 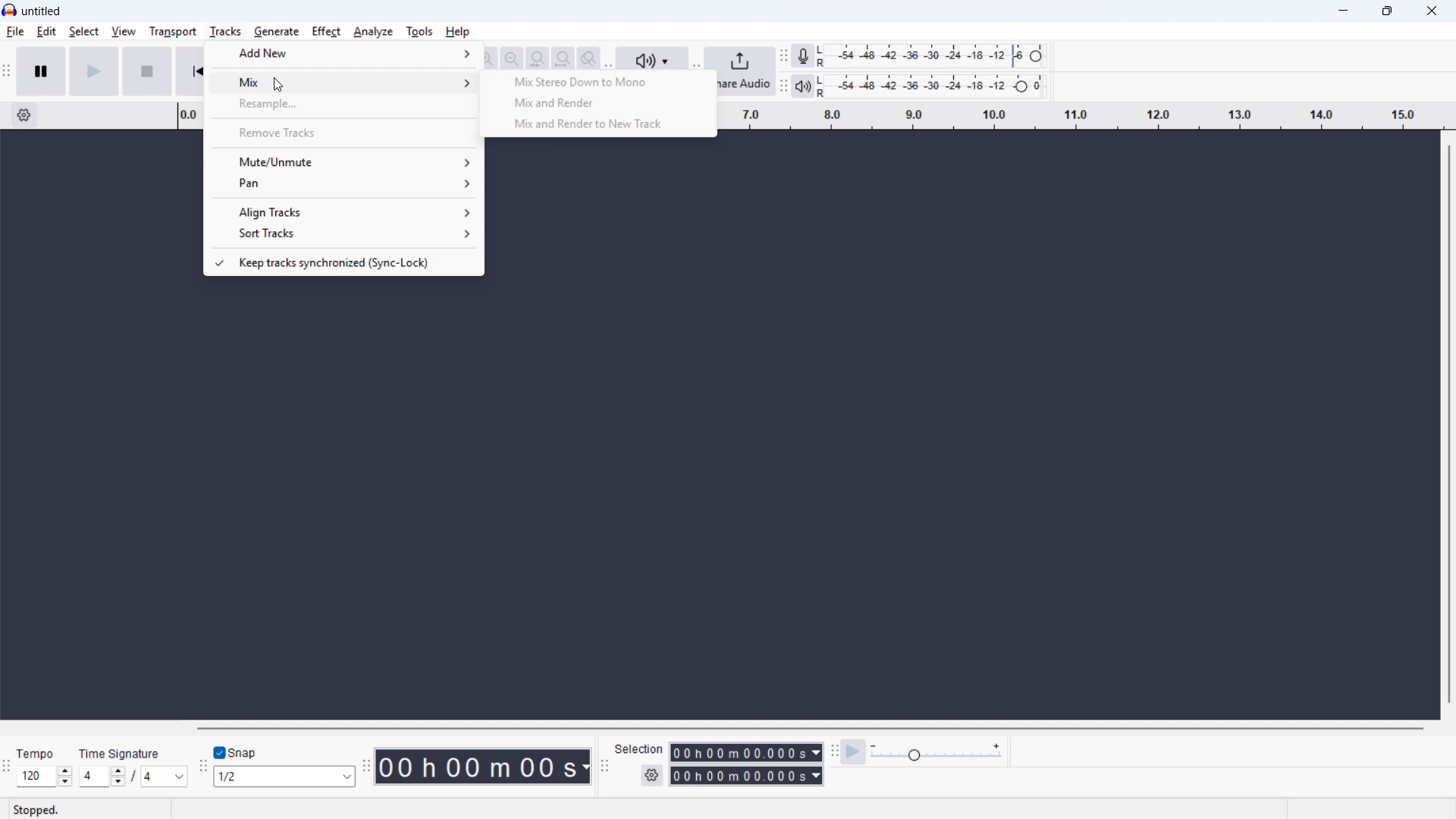 What do you see at coordinates (928, 86) in the screenshot?
I see `Playback level ` at bounding box center [928, 86].